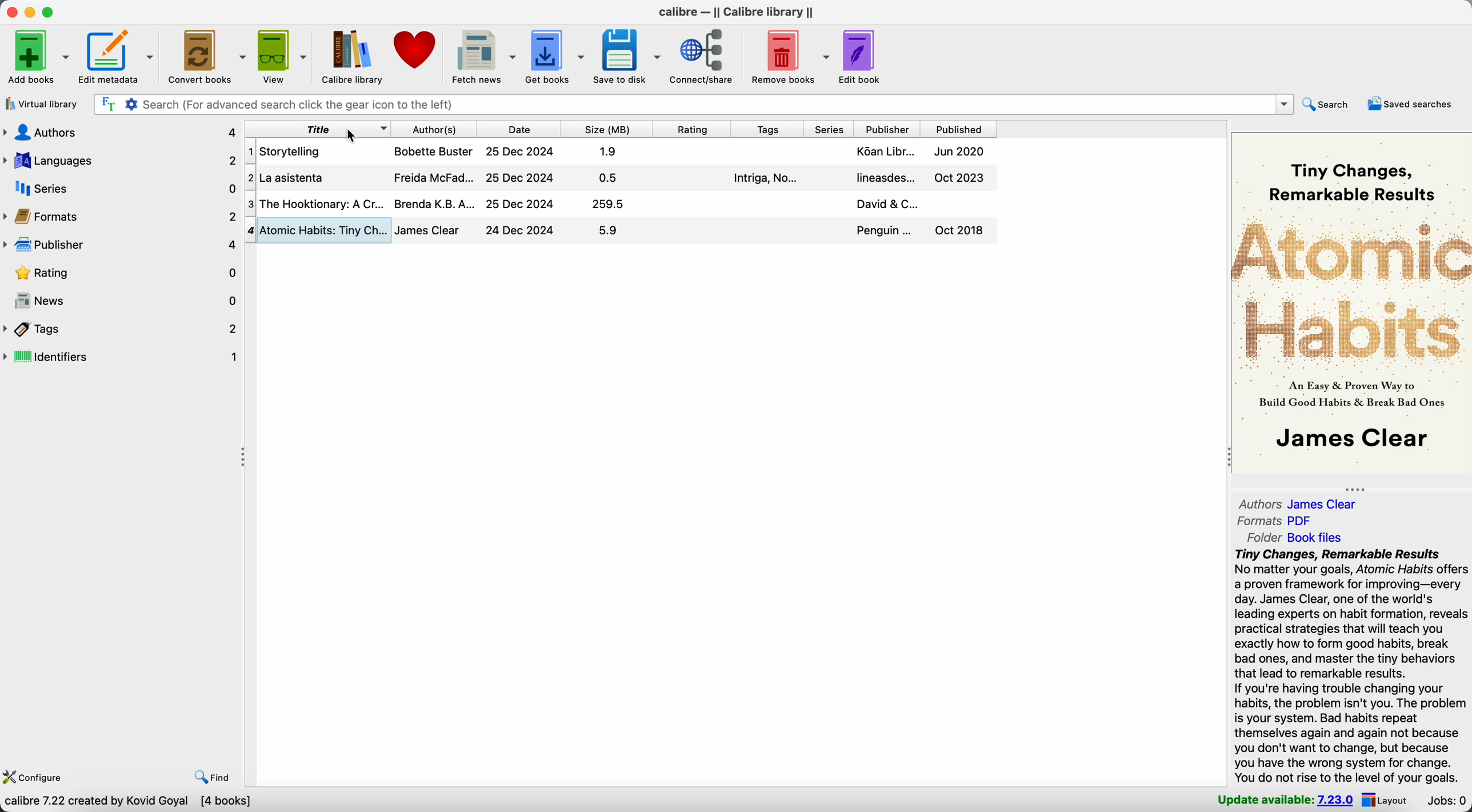  I want to click on storytelling, so click(293, 151).